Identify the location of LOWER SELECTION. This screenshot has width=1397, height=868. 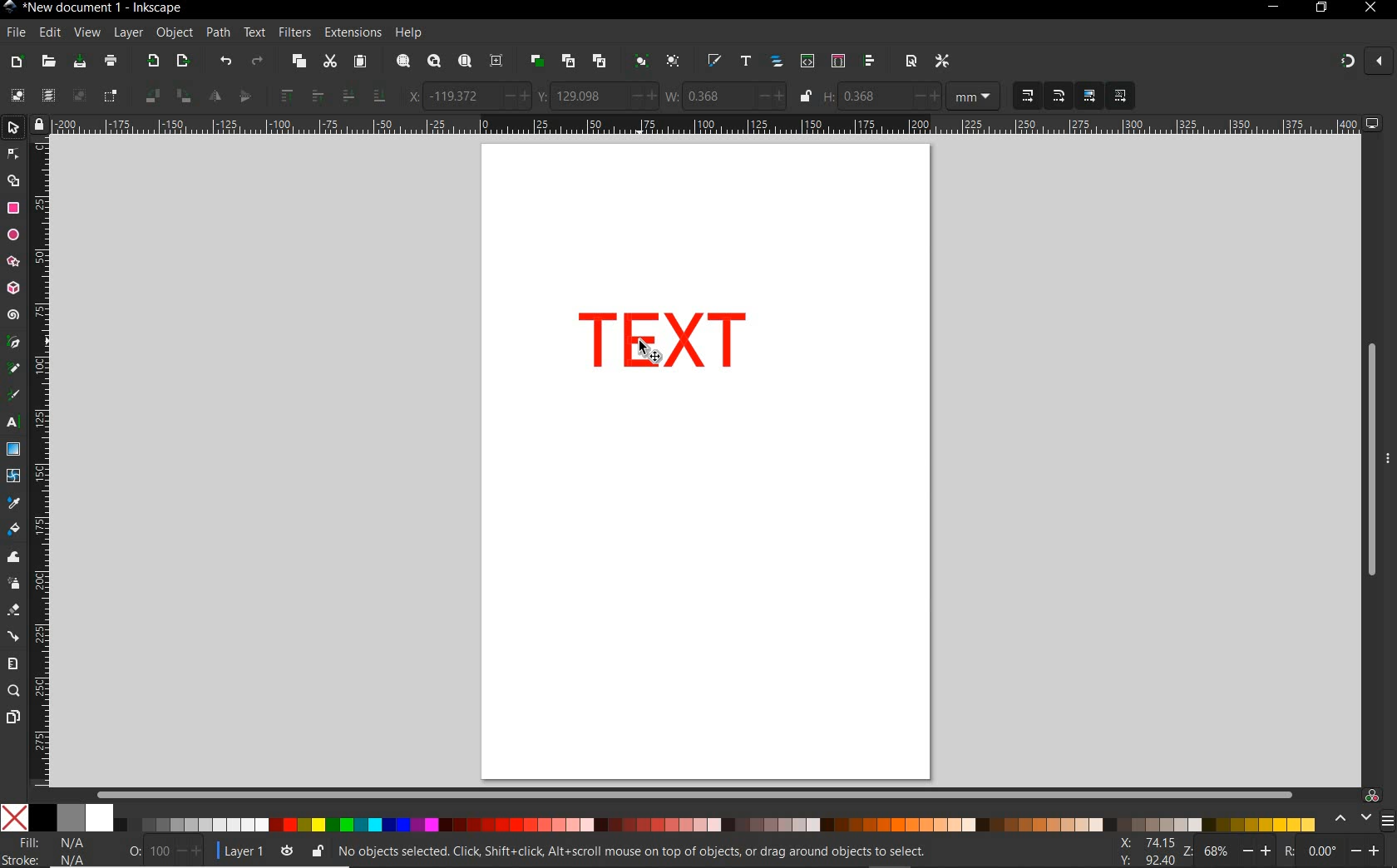
(362, 96).